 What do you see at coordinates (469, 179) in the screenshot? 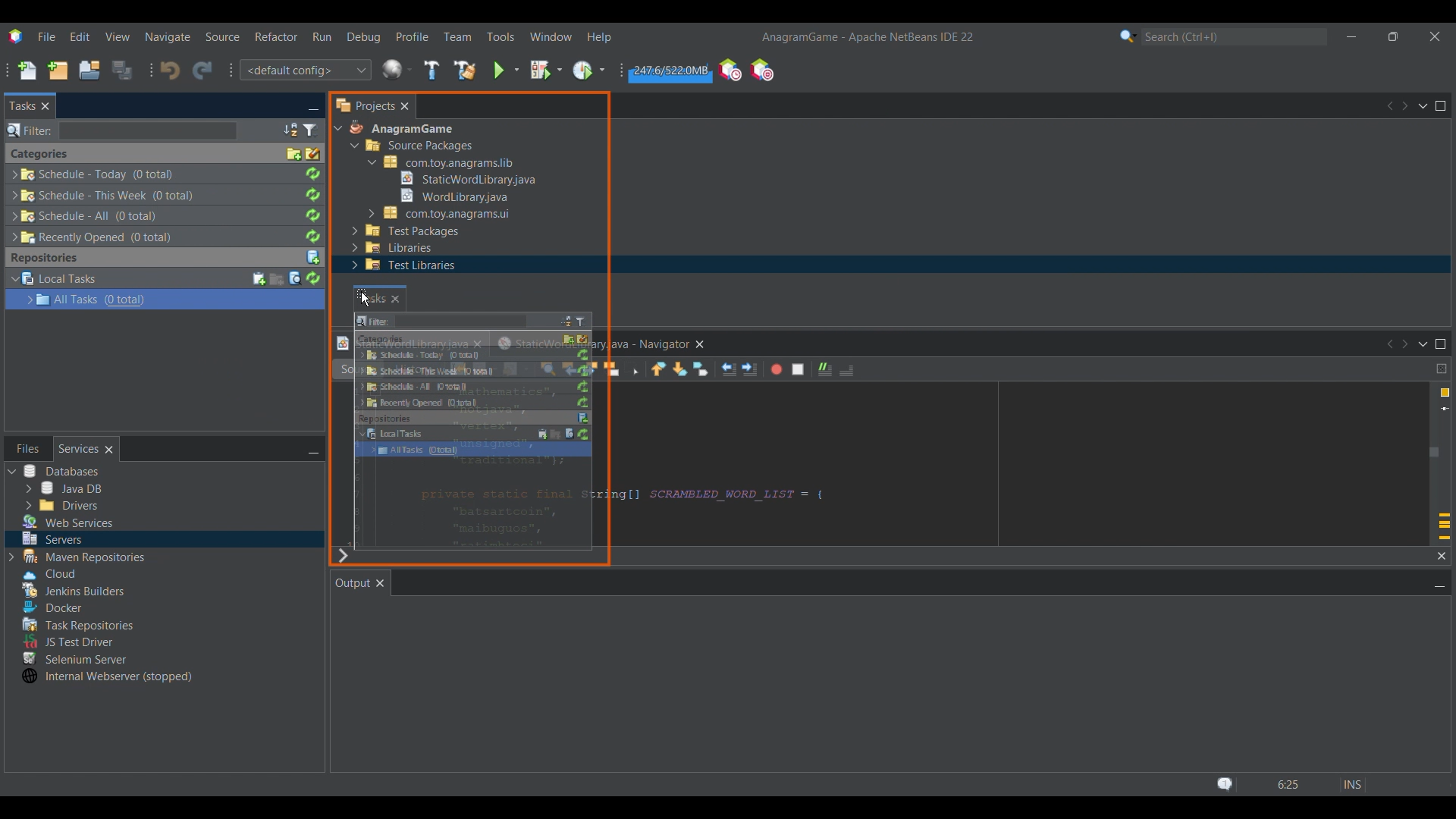
I see `` at bounding box center [469, 179].